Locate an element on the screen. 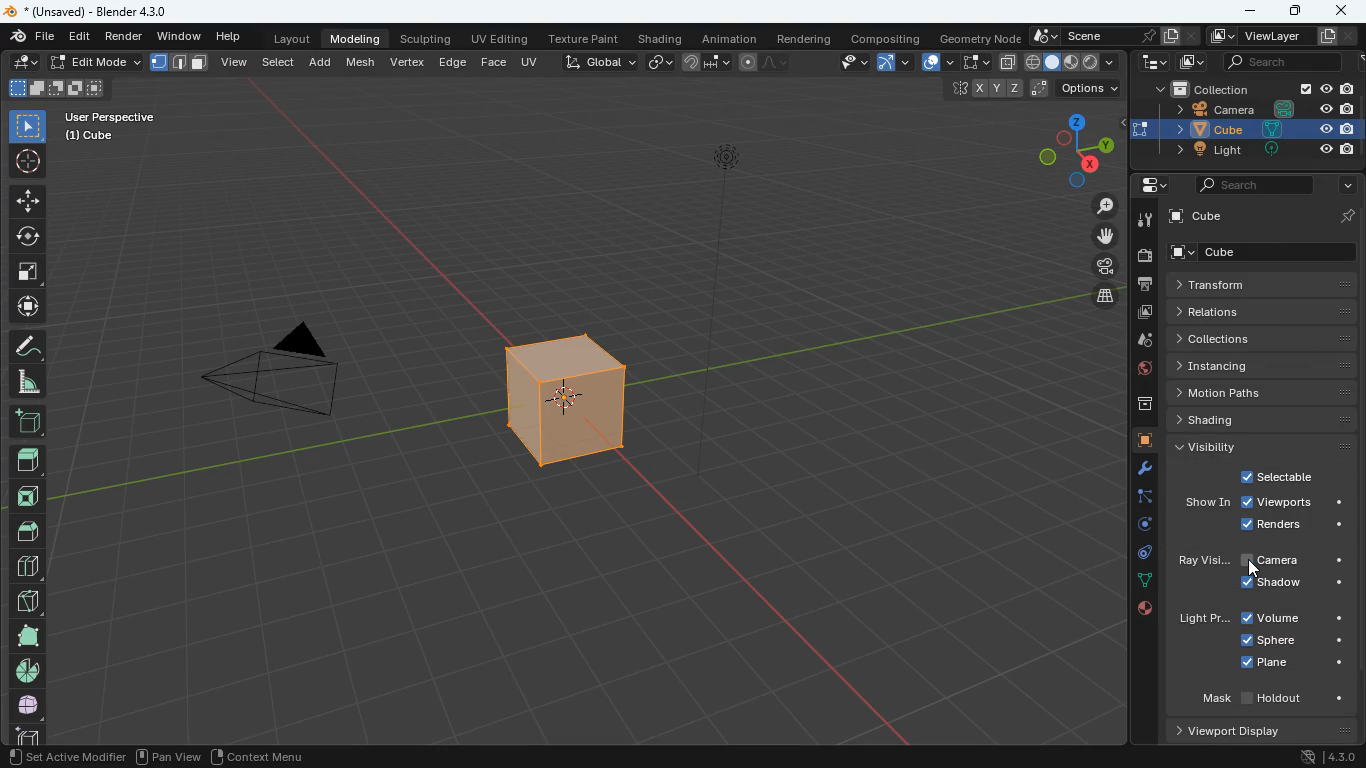 Image resolution: width=1366 pixels, height=768 pixels. link is located at coordinates (658, 63).